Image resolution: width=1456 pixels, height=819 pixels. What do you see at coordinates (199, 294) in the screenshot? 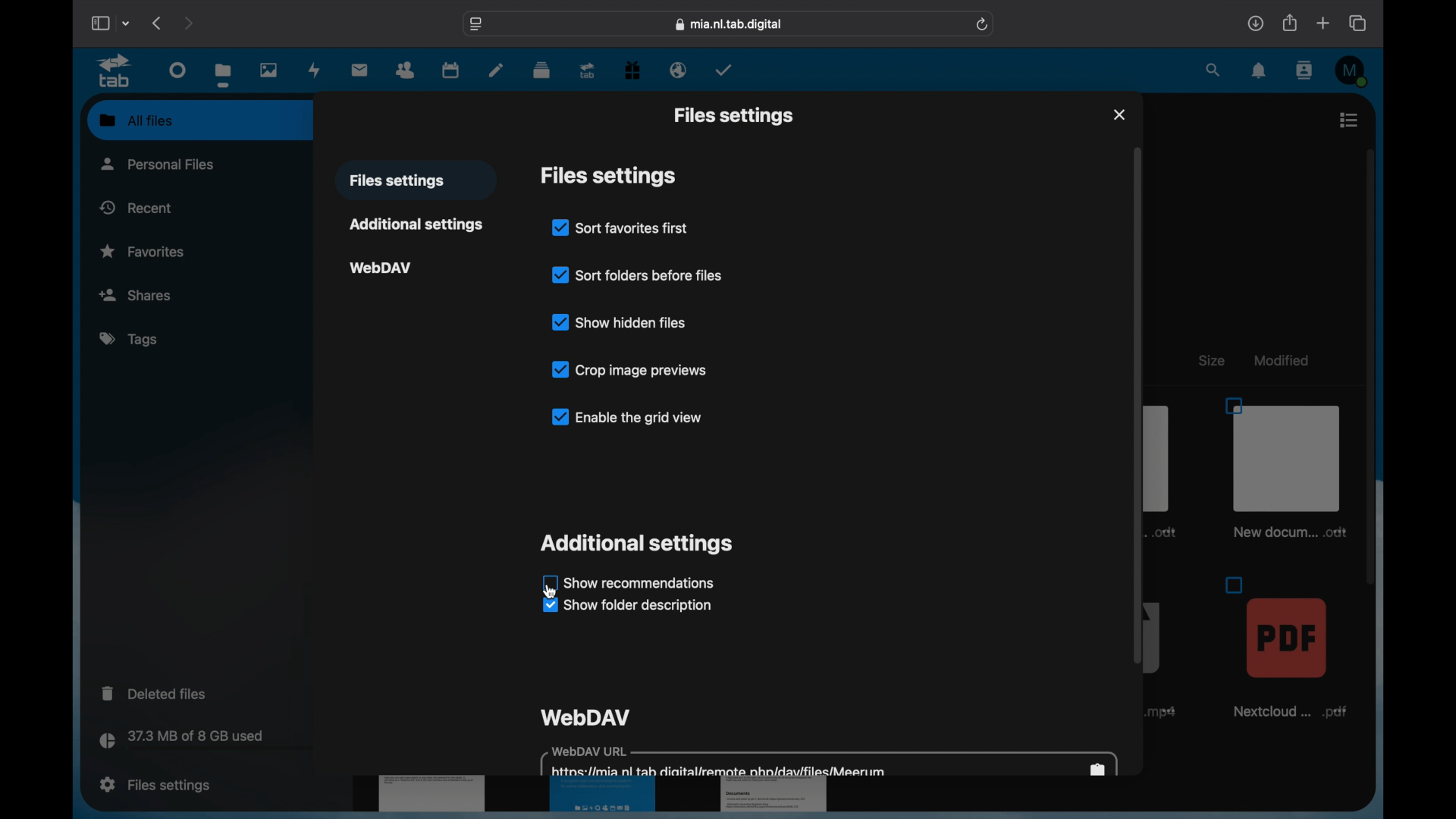
I see `shares` at bounding box center [199, 294].